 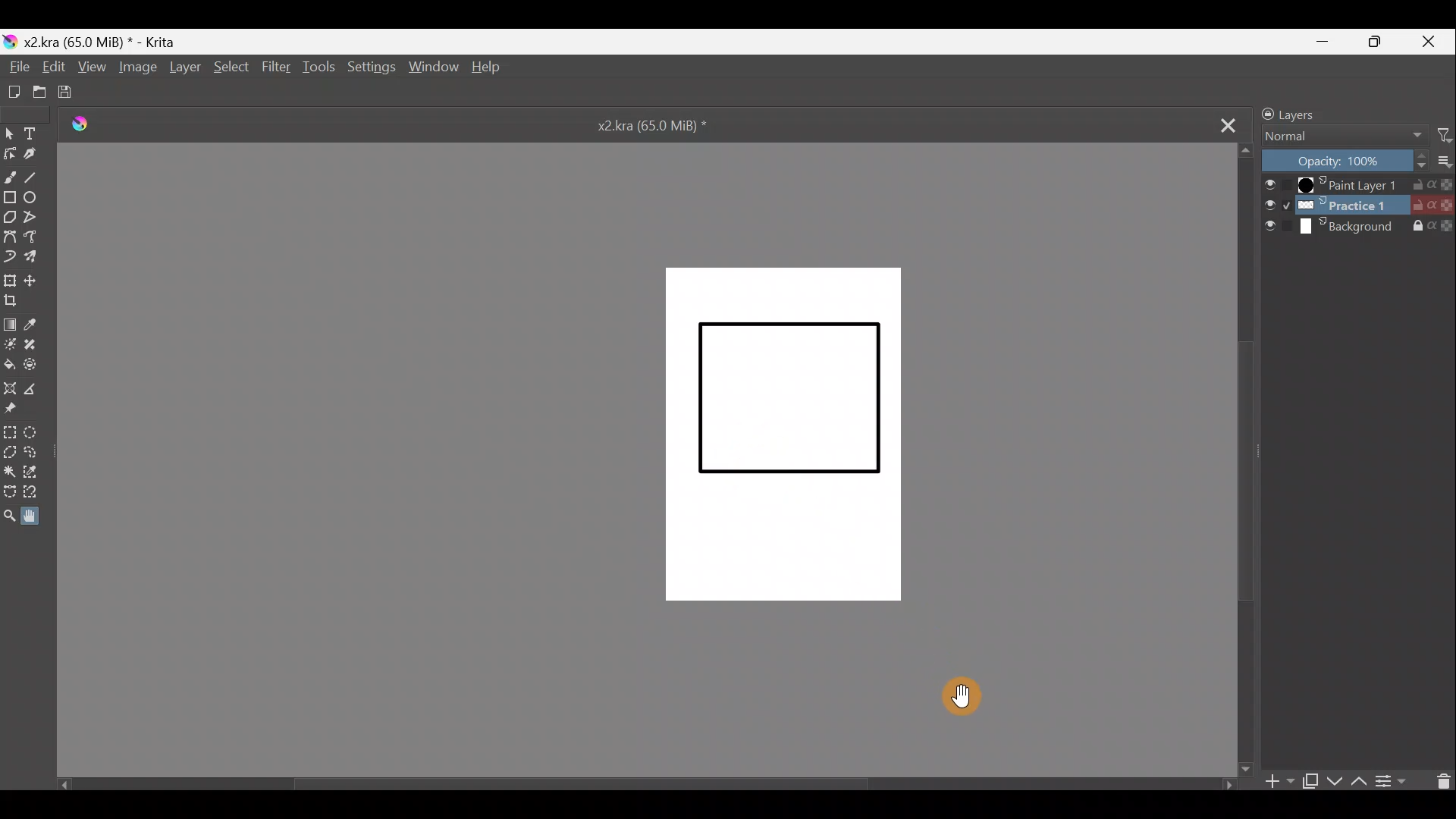 What do you see at coordinates (1442, 162) in the screenshot?
I see `More` at bounding box center [1442, 162].